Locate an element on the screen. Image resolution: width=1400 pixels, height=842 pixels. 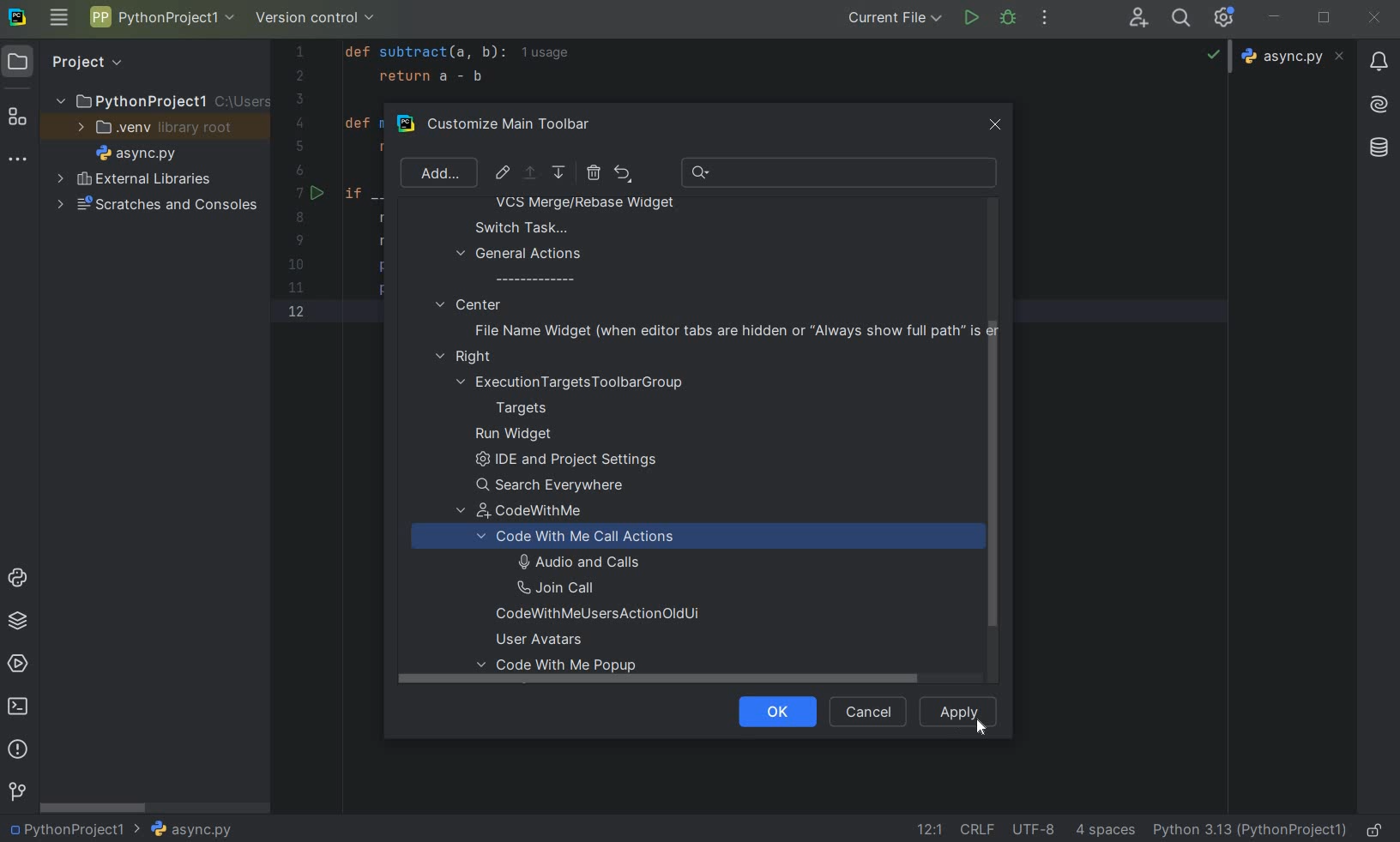
MORE TOOL WINDOWS is located at coordinates (18, 160).